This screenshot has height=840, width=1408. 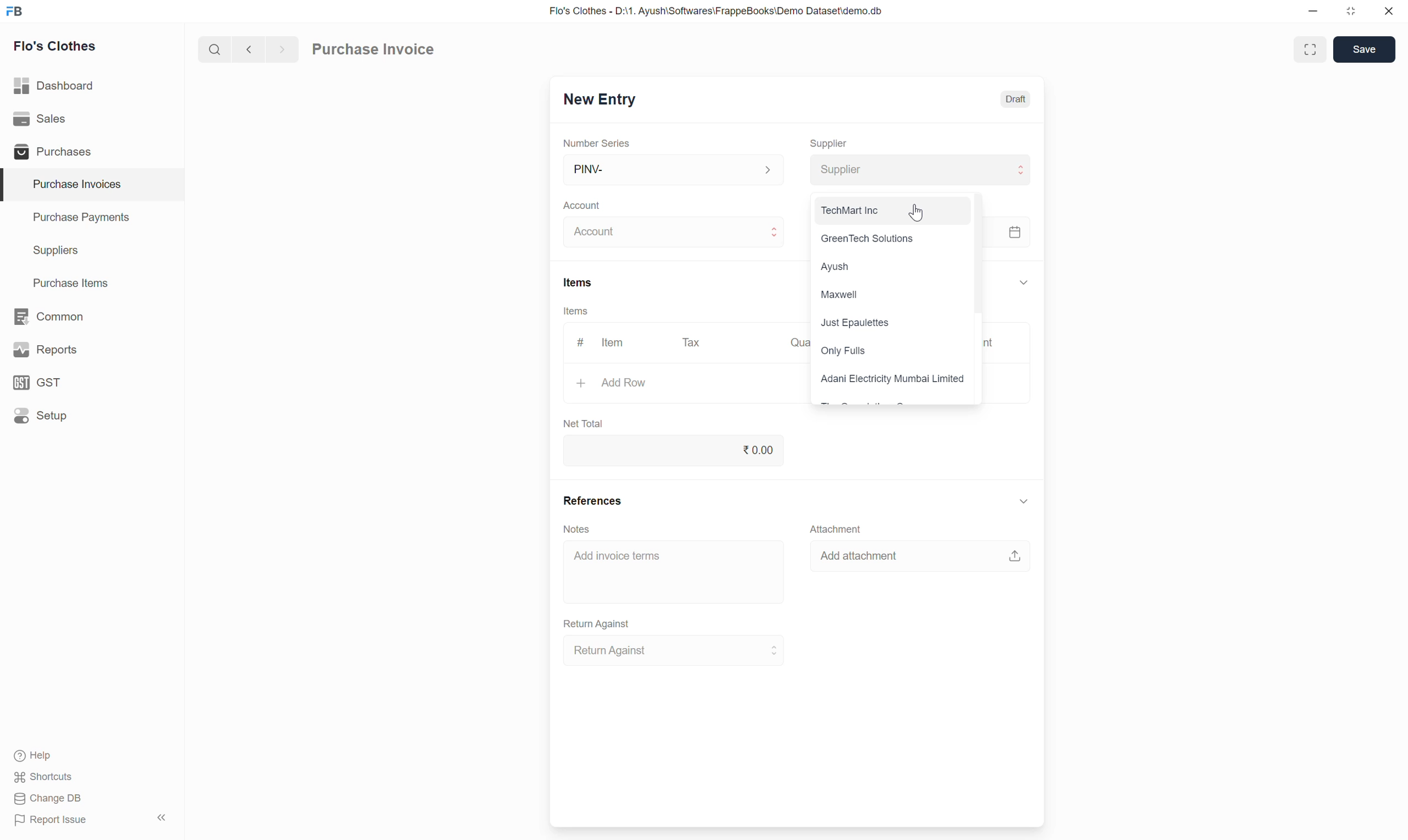 I want to click on Collapse, so click(x=1024, y=282).